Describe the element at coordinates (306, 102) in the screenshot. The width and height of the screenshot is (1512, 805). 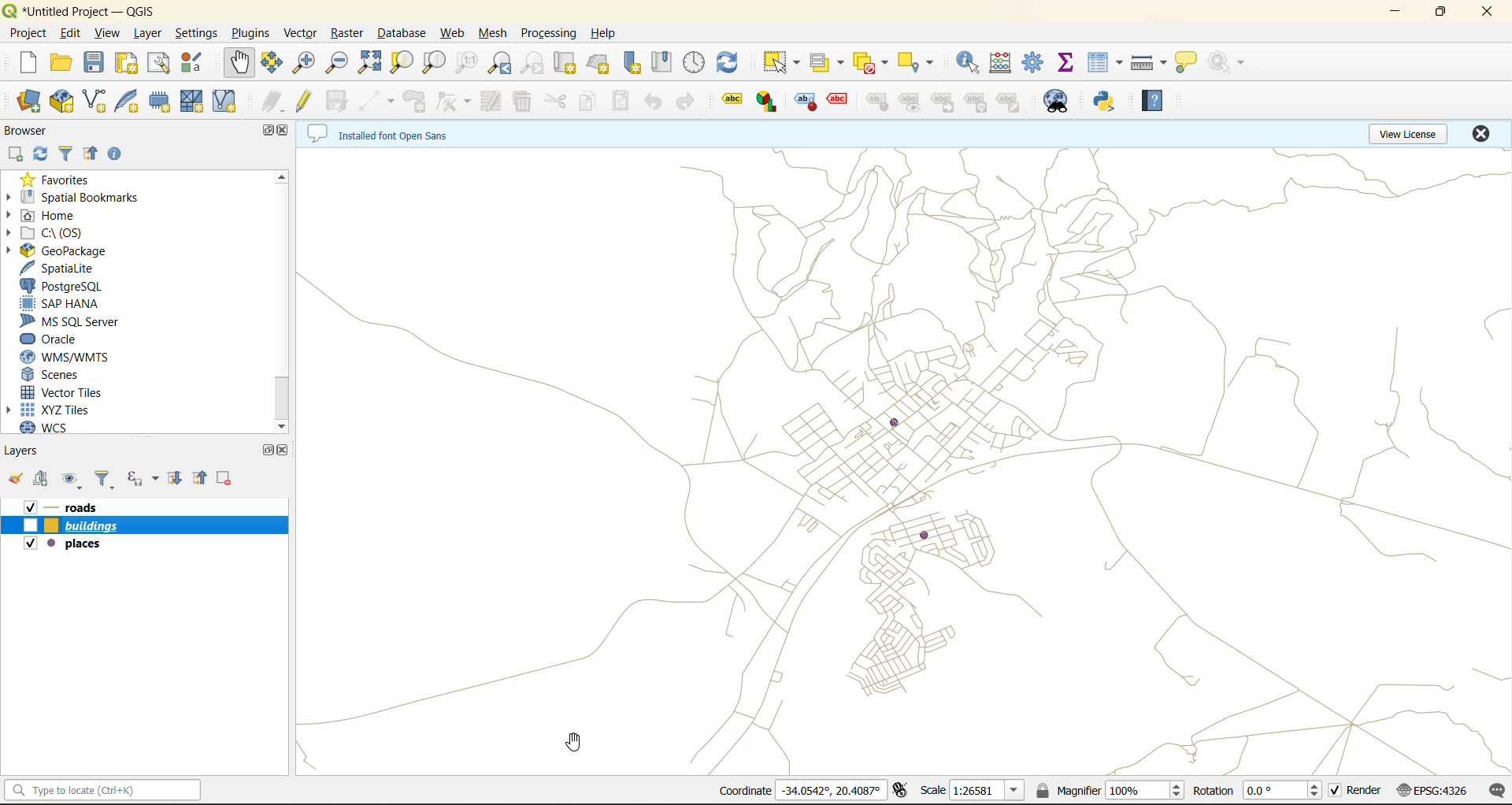
I see `toggle edits` at that location.